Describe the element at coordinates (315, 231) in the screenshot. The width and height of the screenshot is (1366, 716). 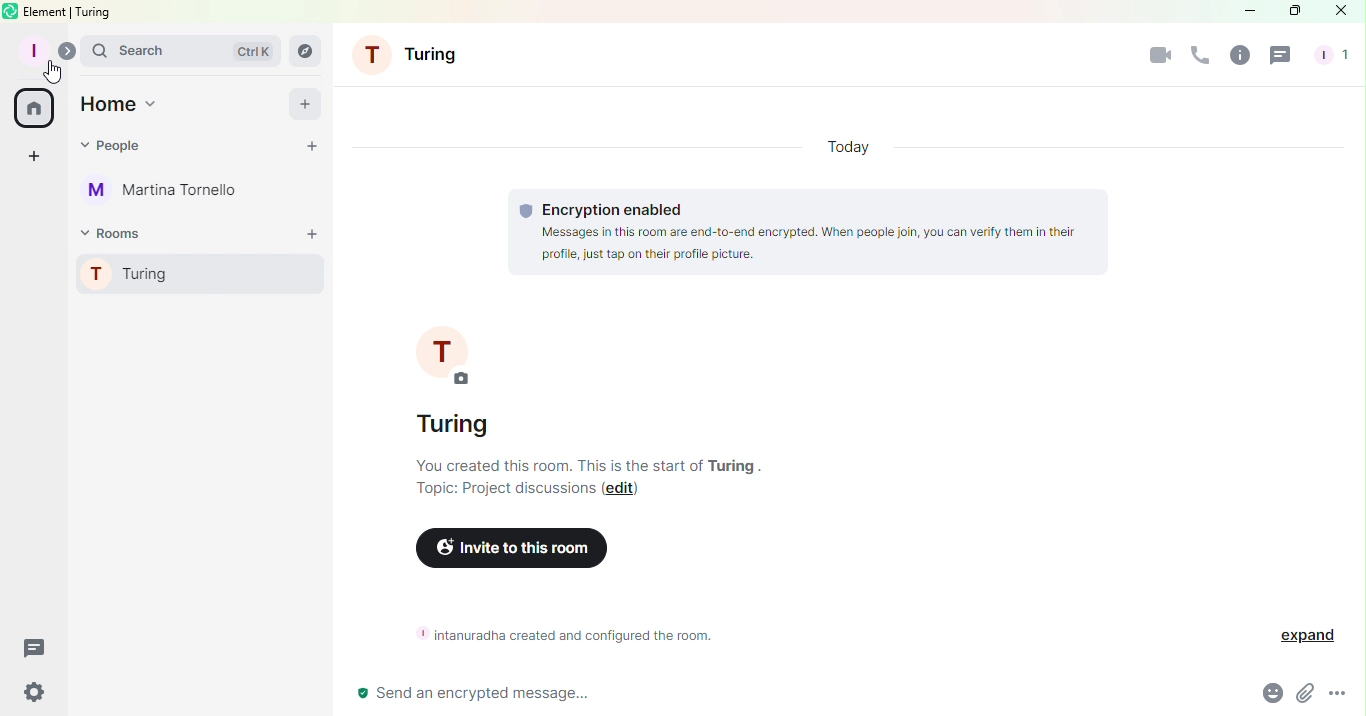
I see `Add a room` at that location.